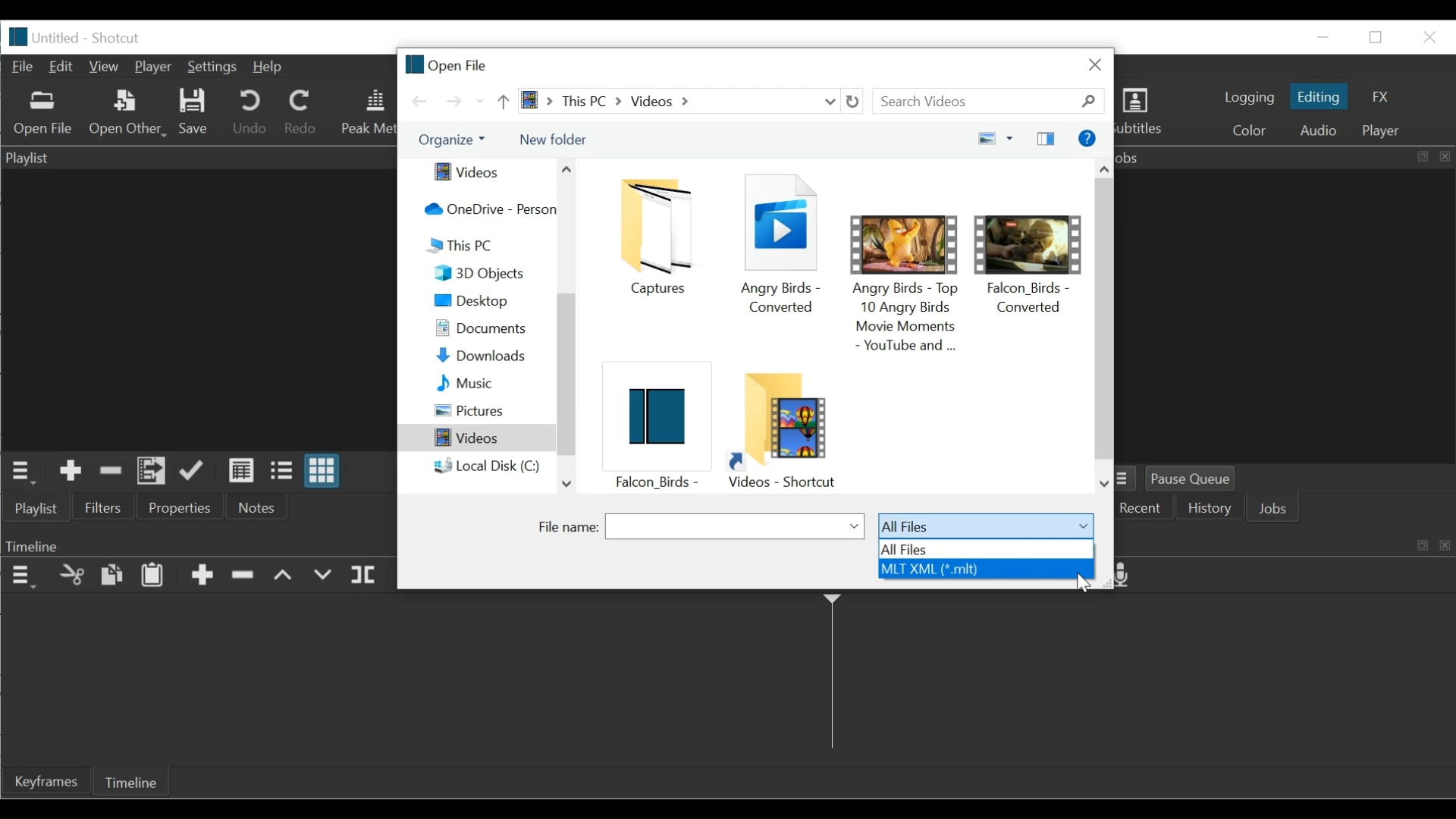 Image resolution: width=1456 pixels, height=819 pixels. I want to click on Close, so click(1096, 64).